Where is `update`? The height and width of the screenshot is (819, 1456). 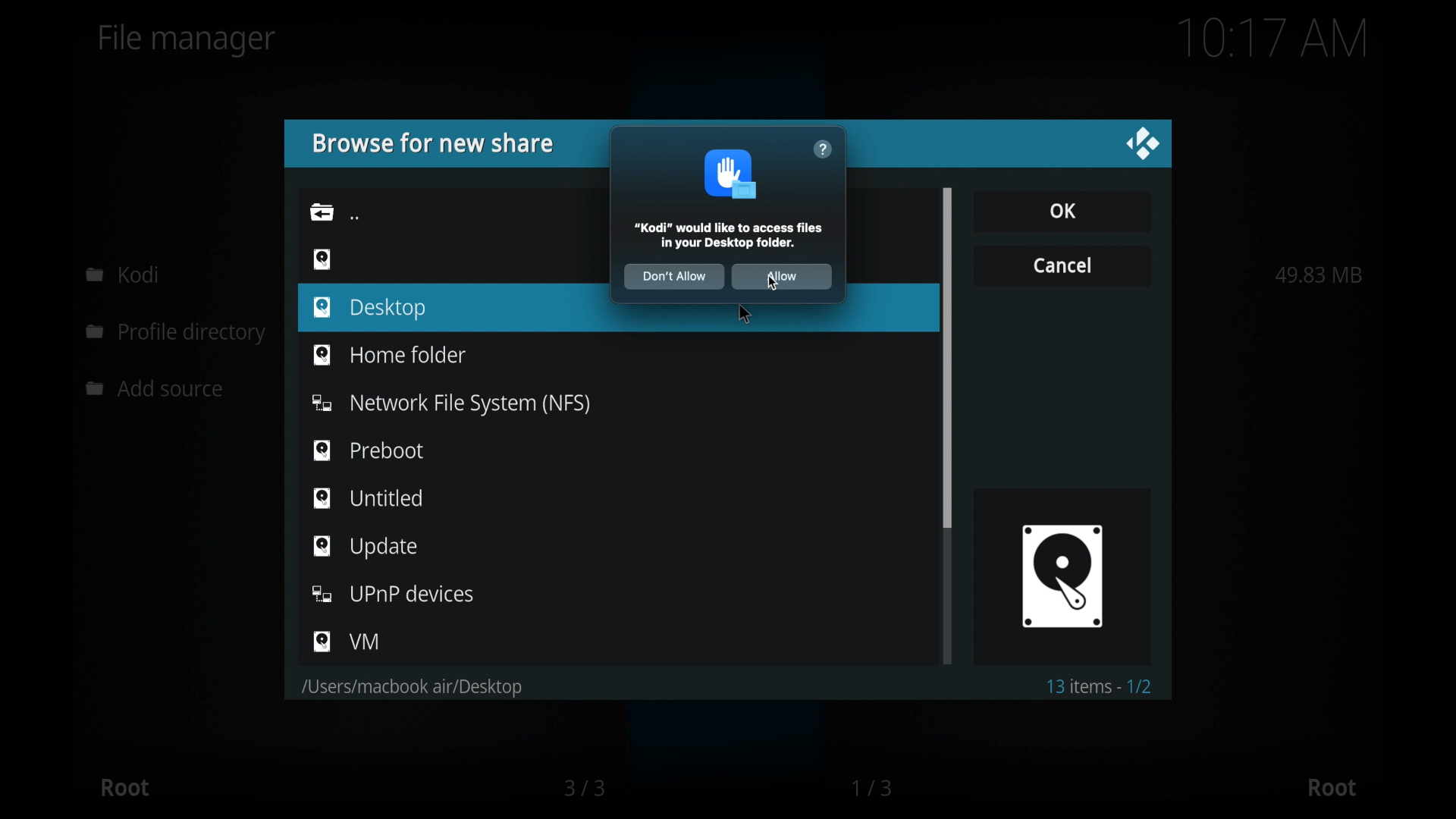 update is located at coordinates (365, 547).